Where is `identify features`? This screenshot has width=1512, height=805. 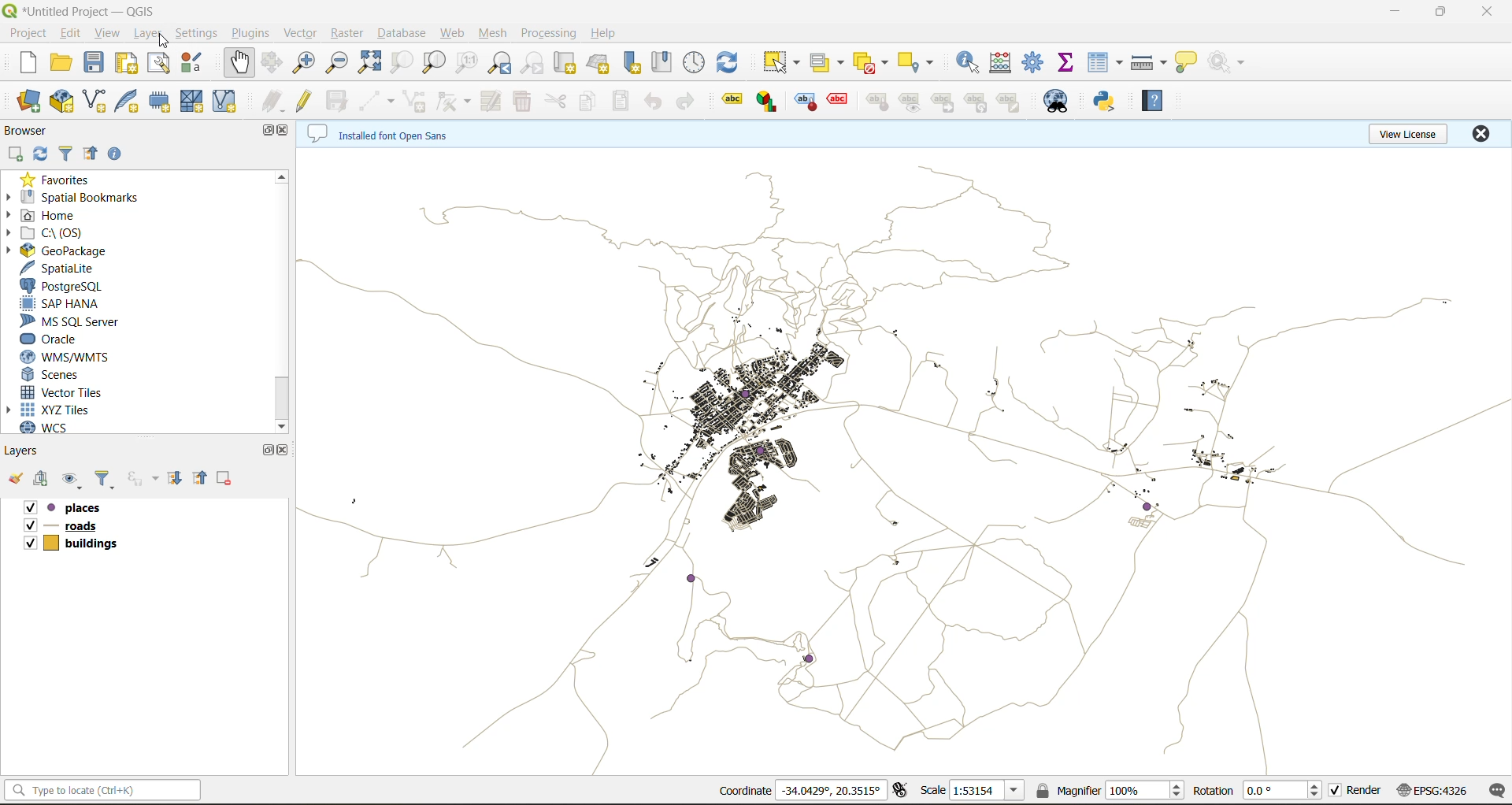 identify features is located at coordinates (966, 65).